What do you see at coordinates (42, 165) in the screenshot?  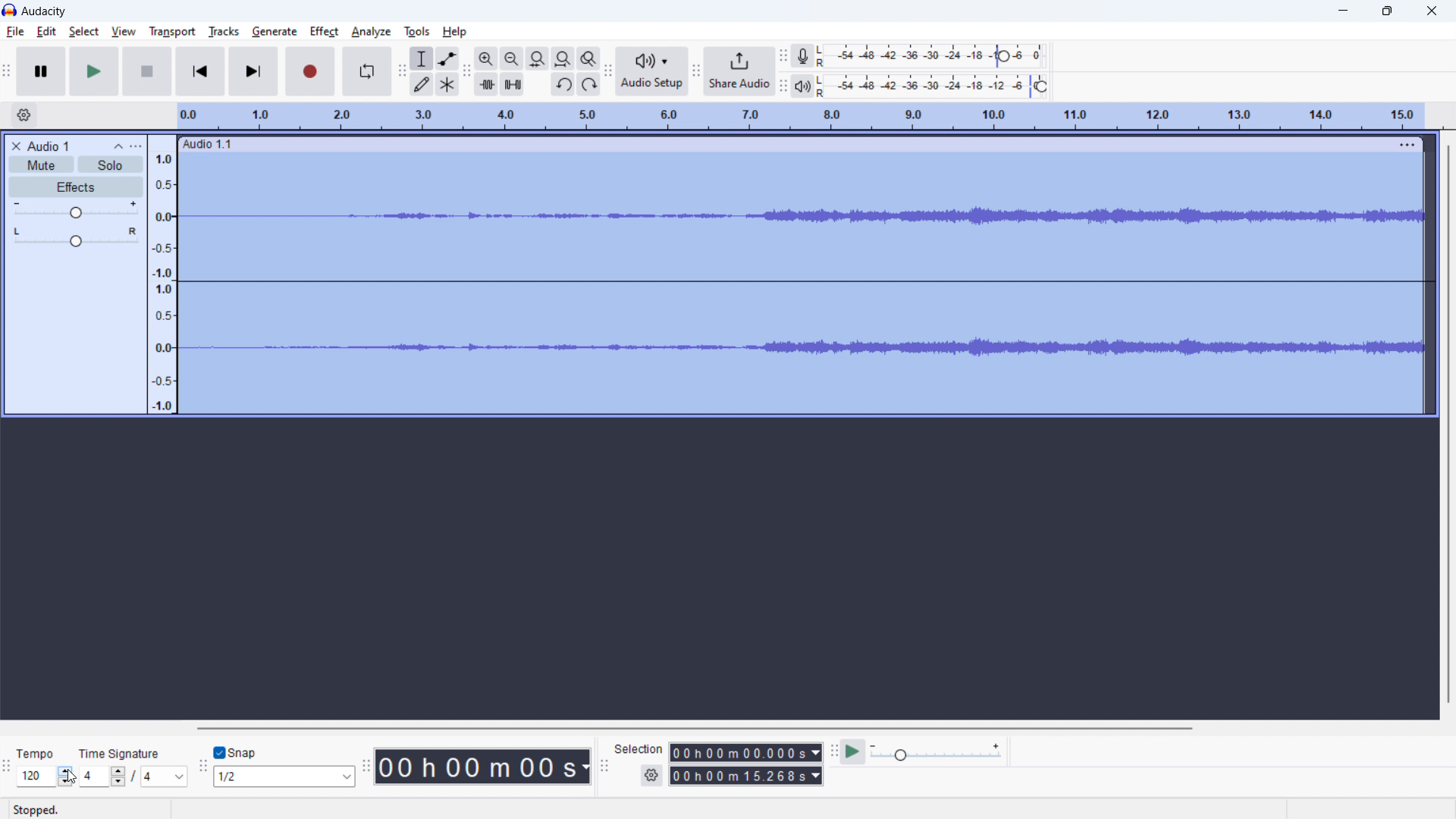 I see `mute` at bounding box center [42, 165].